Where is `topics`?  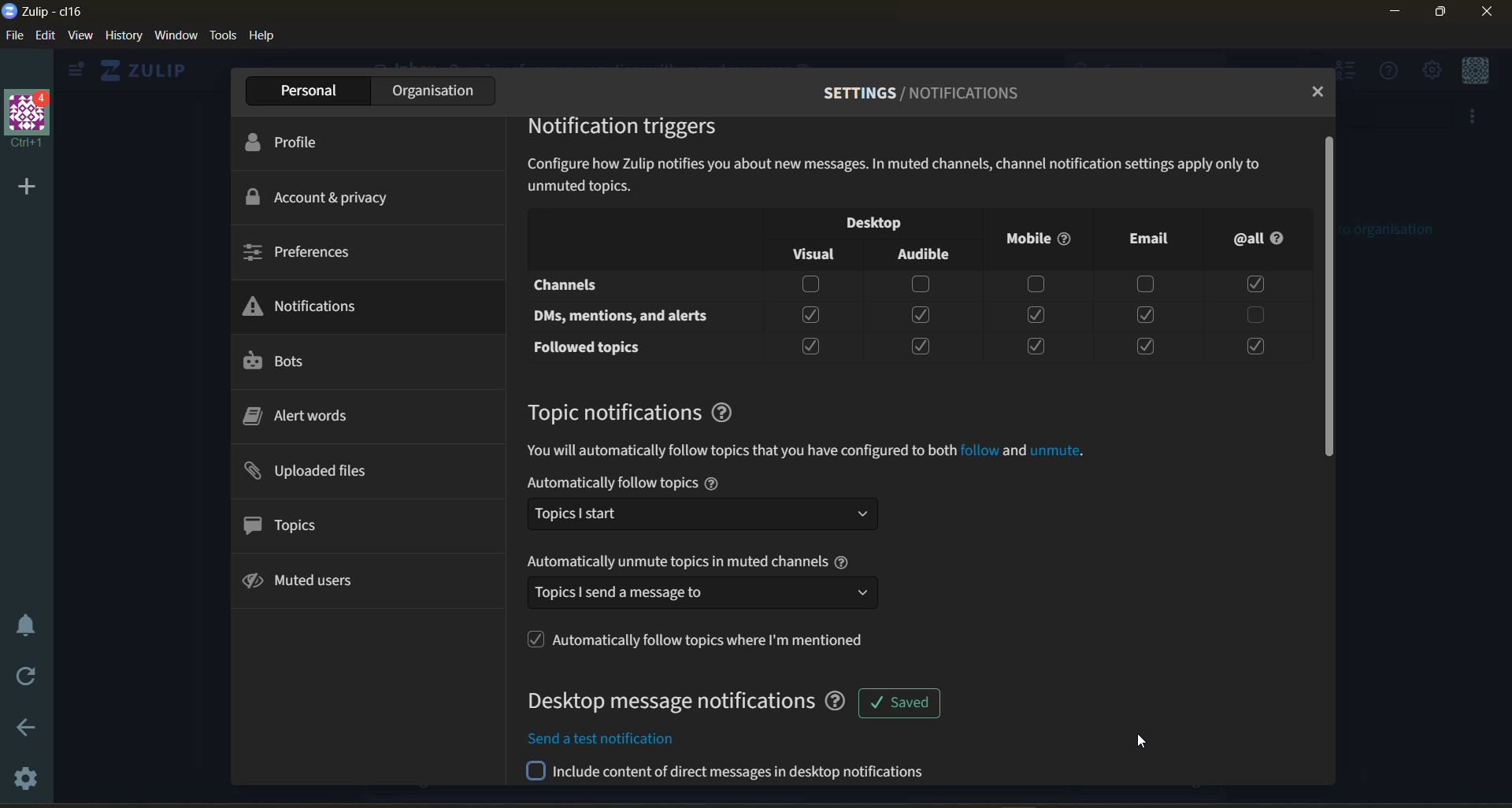
topics is located at coordinates (291, 523).